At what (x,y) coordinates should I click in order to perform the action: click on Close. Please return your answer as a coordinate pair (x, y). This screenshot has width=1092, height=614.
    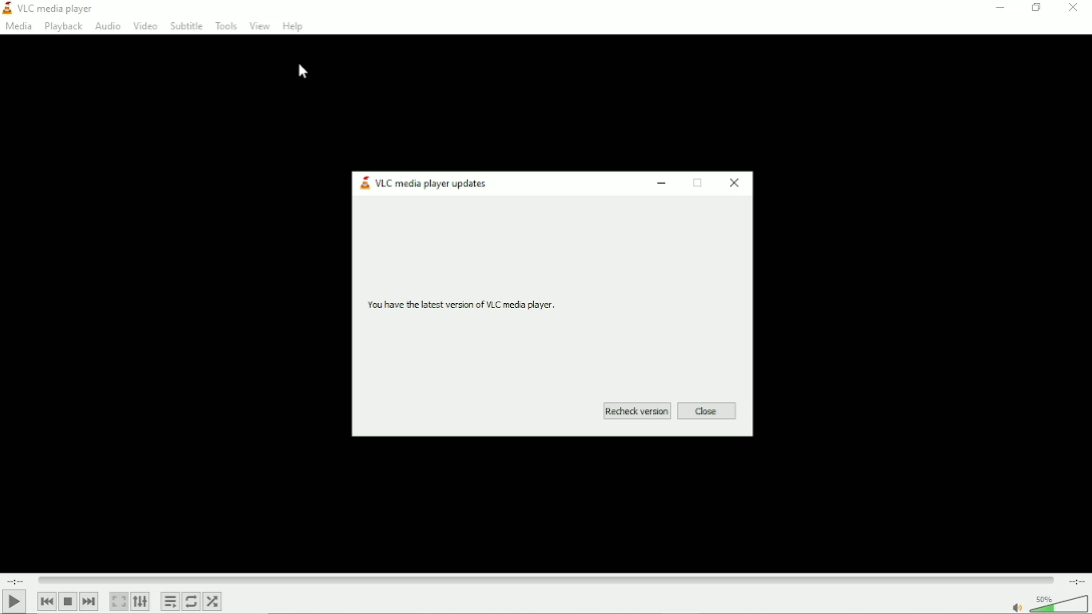
    Looking at the image, I should click on (1073, 9).